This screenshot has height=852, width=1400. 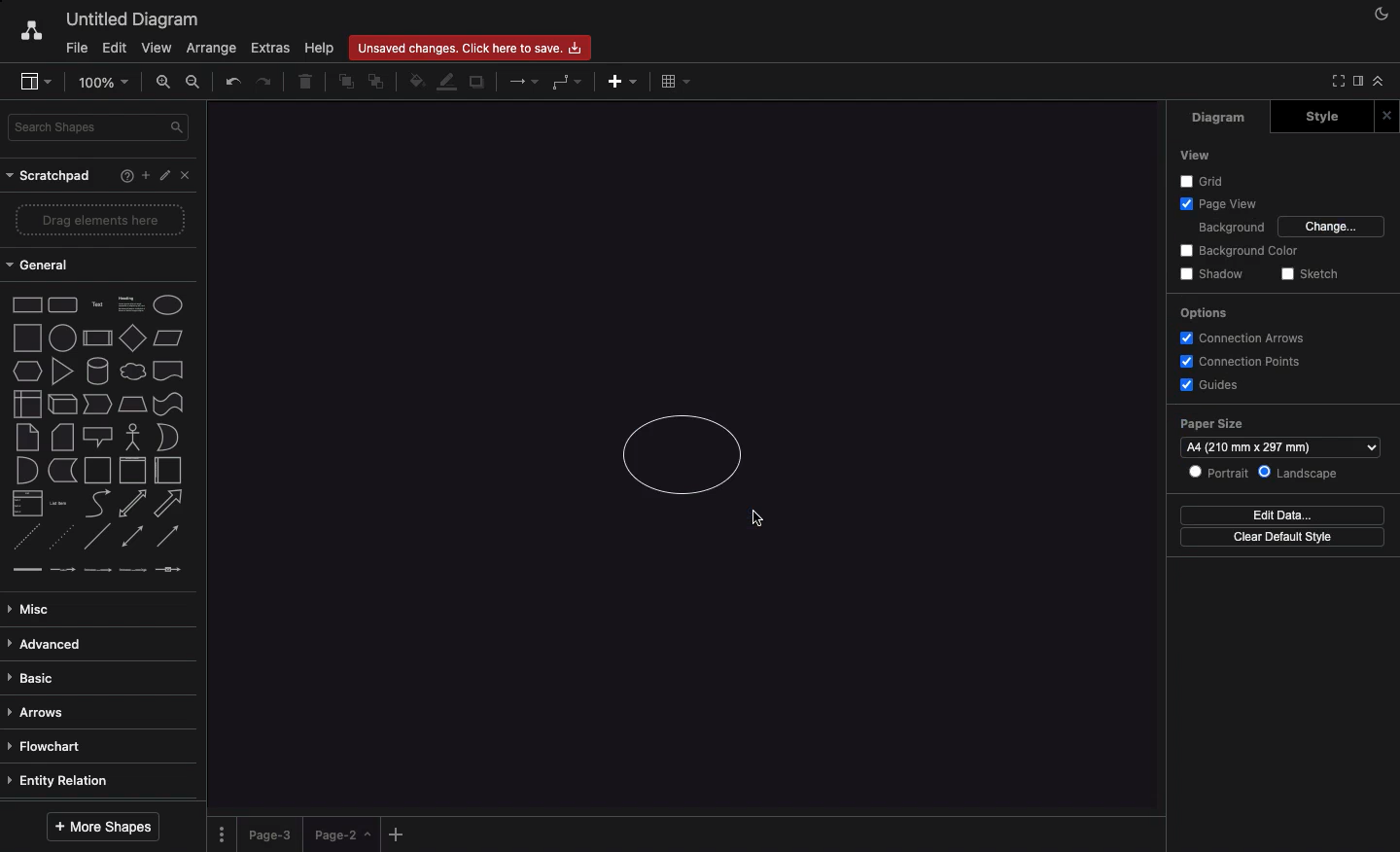 What do you see at coordinates (168, 305) in the screenshot?
I see `Ellipse` at bounding box center [168, 305].